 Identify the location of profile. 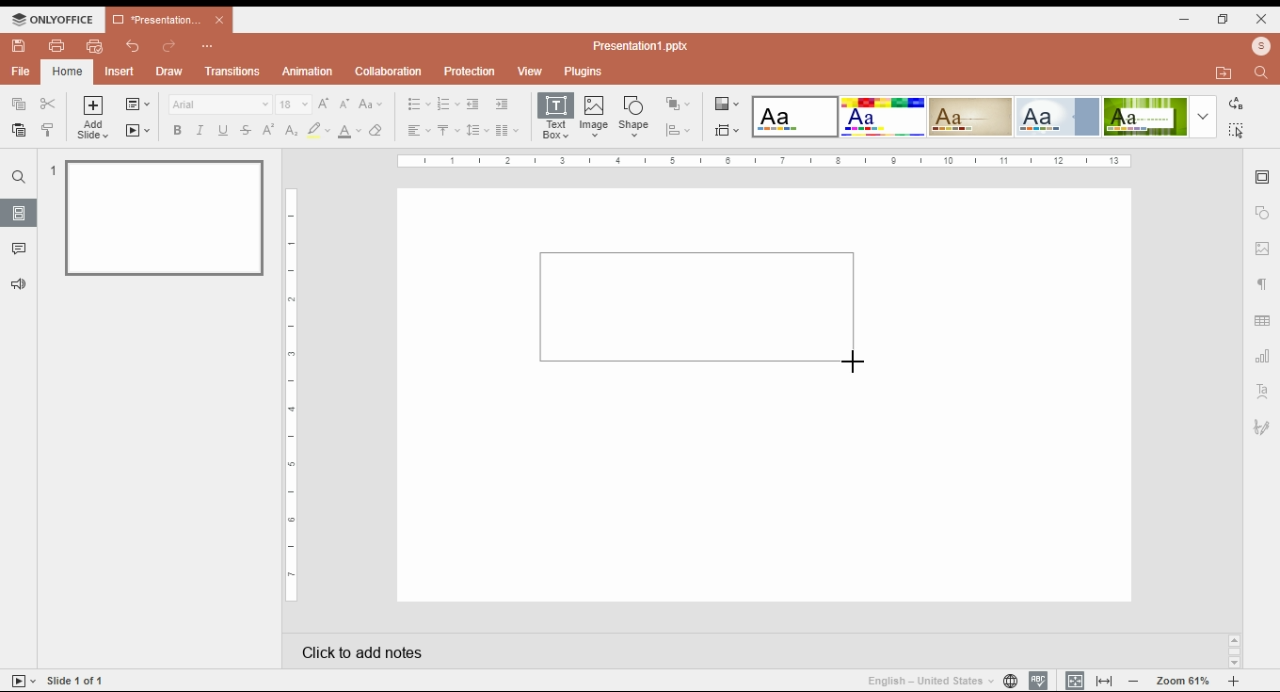
(1260, 46).